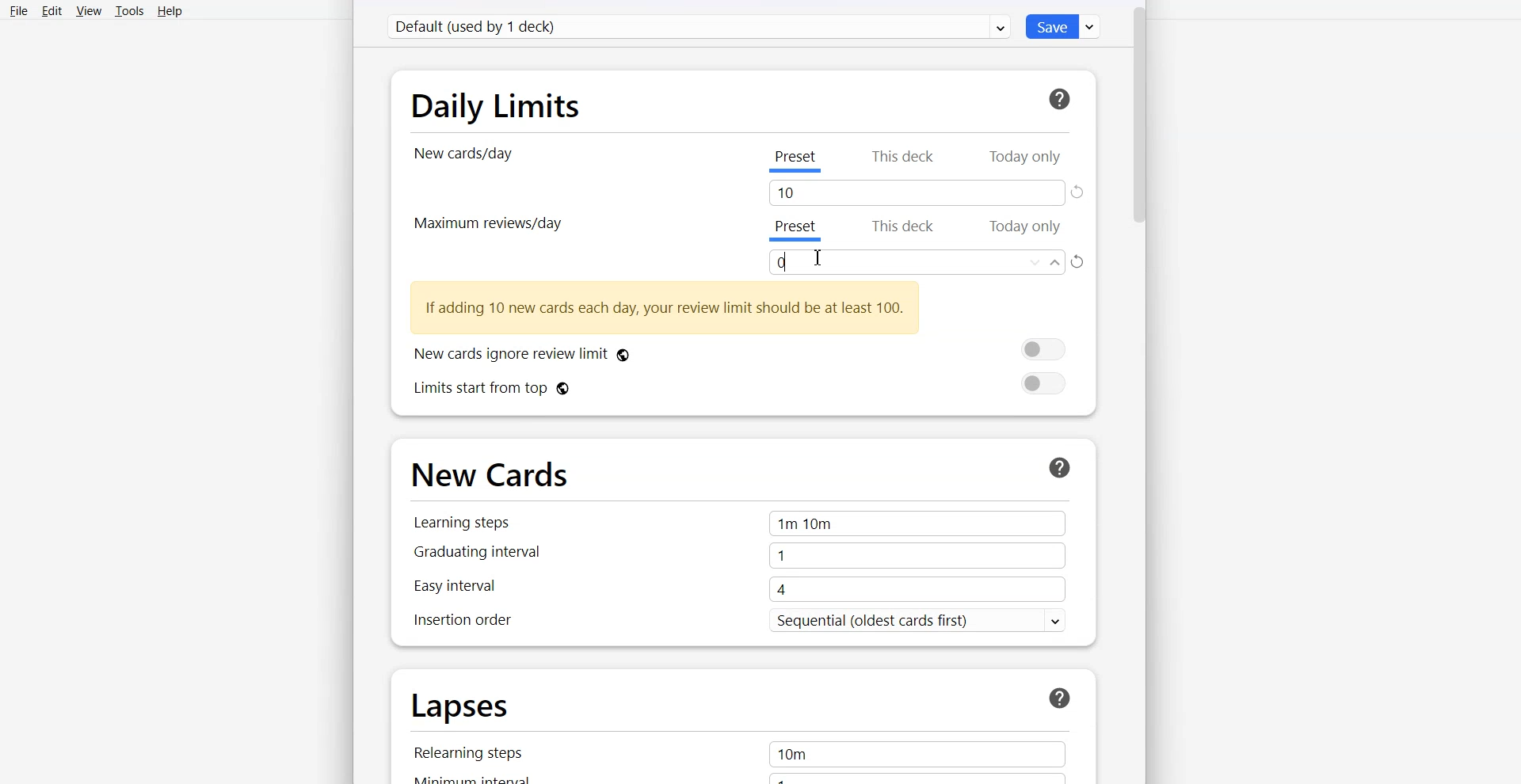  What do you see at coordinates (904, 229) in the screenshot?
I see `This deck` at bounding box center [904, 229].